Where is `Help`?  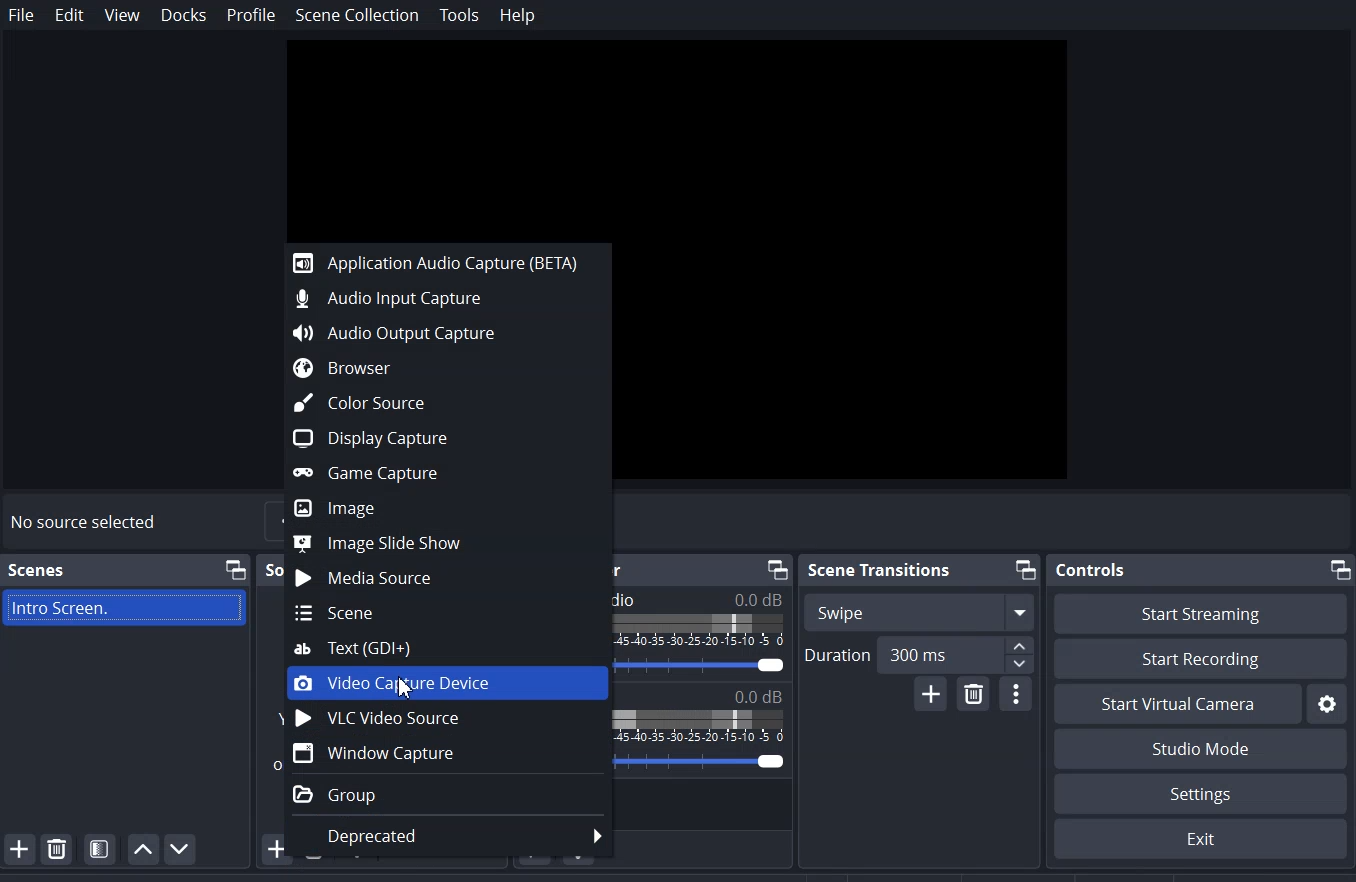 Help is located at coordinates (516, 16).